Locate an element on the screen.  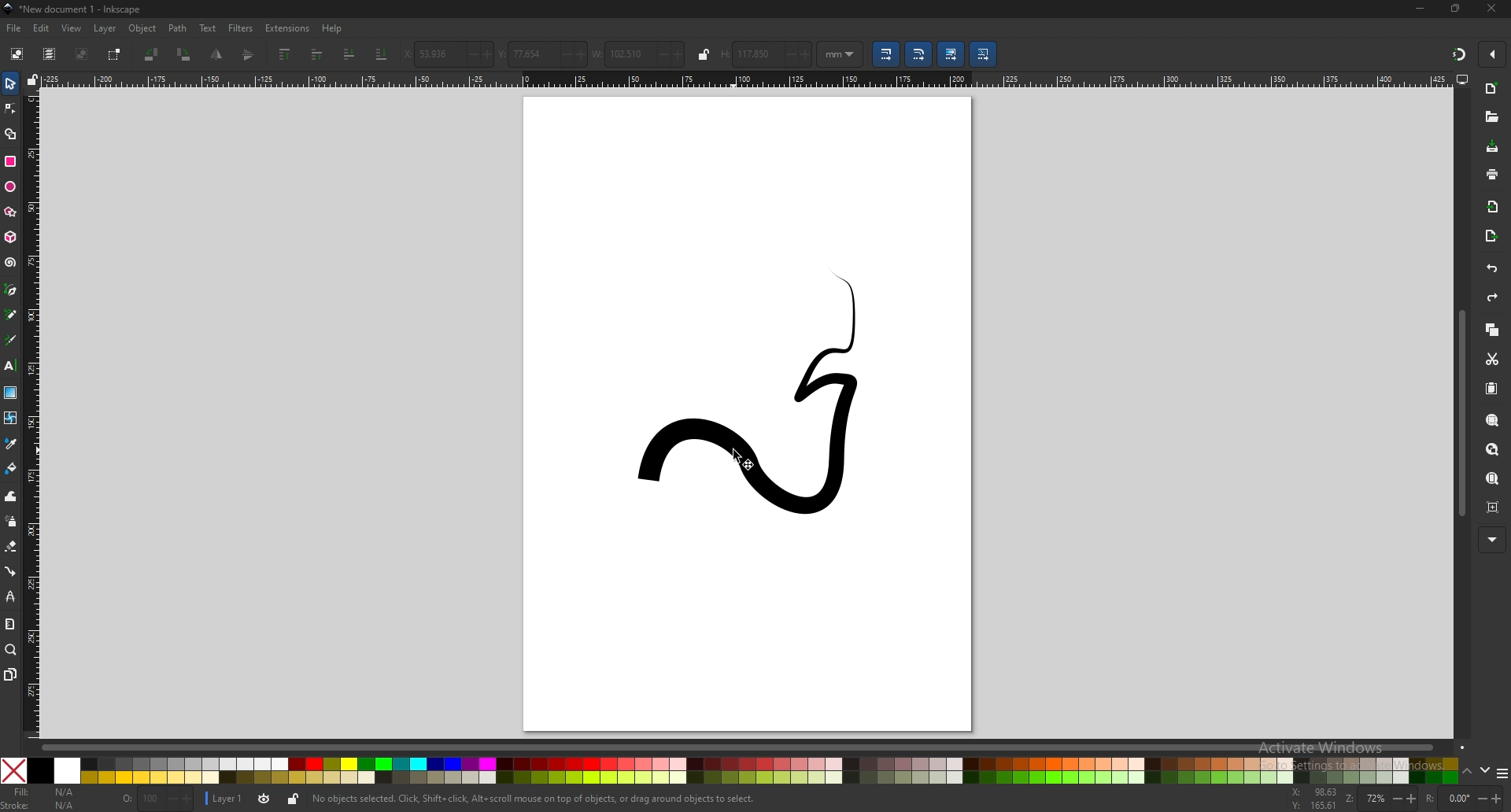
cursor coordinates is located at coordinates (1315, 799).